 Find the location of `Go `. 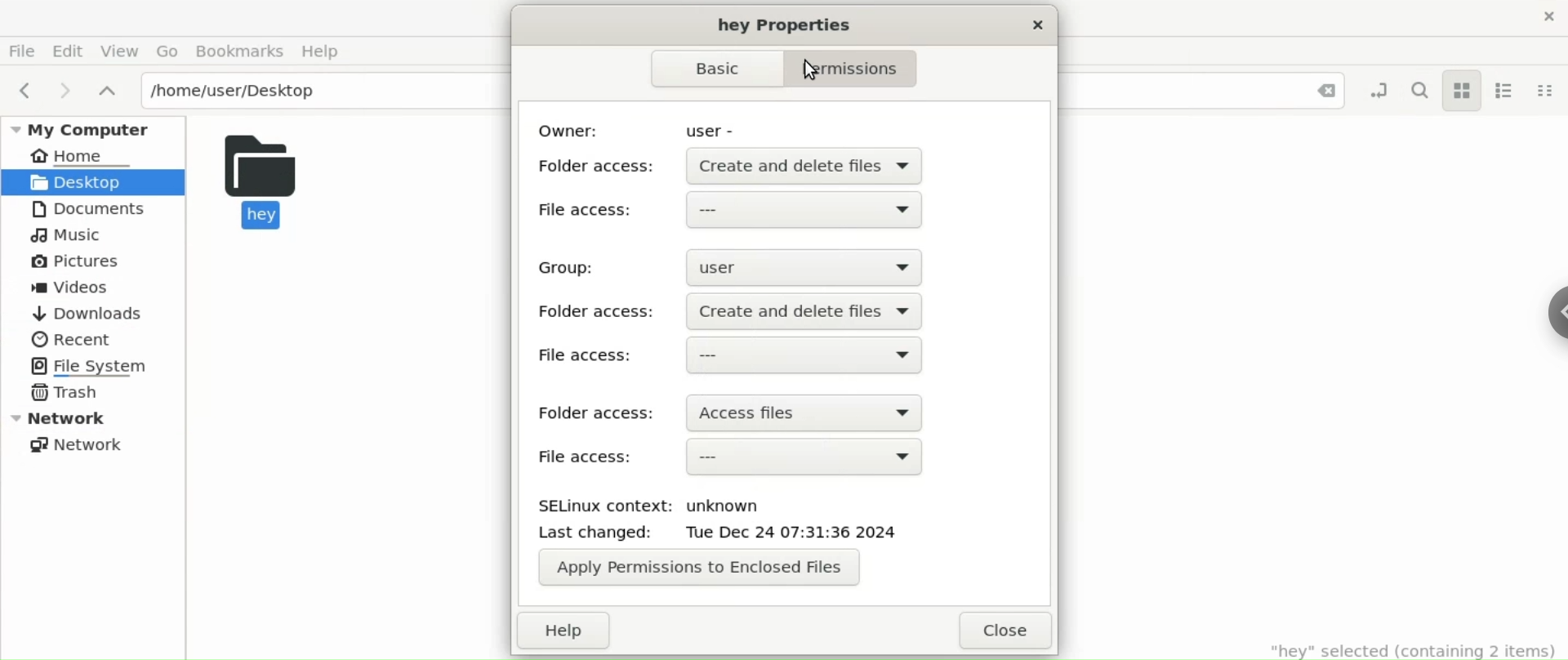

Go  is located at coordinates (169, 51).